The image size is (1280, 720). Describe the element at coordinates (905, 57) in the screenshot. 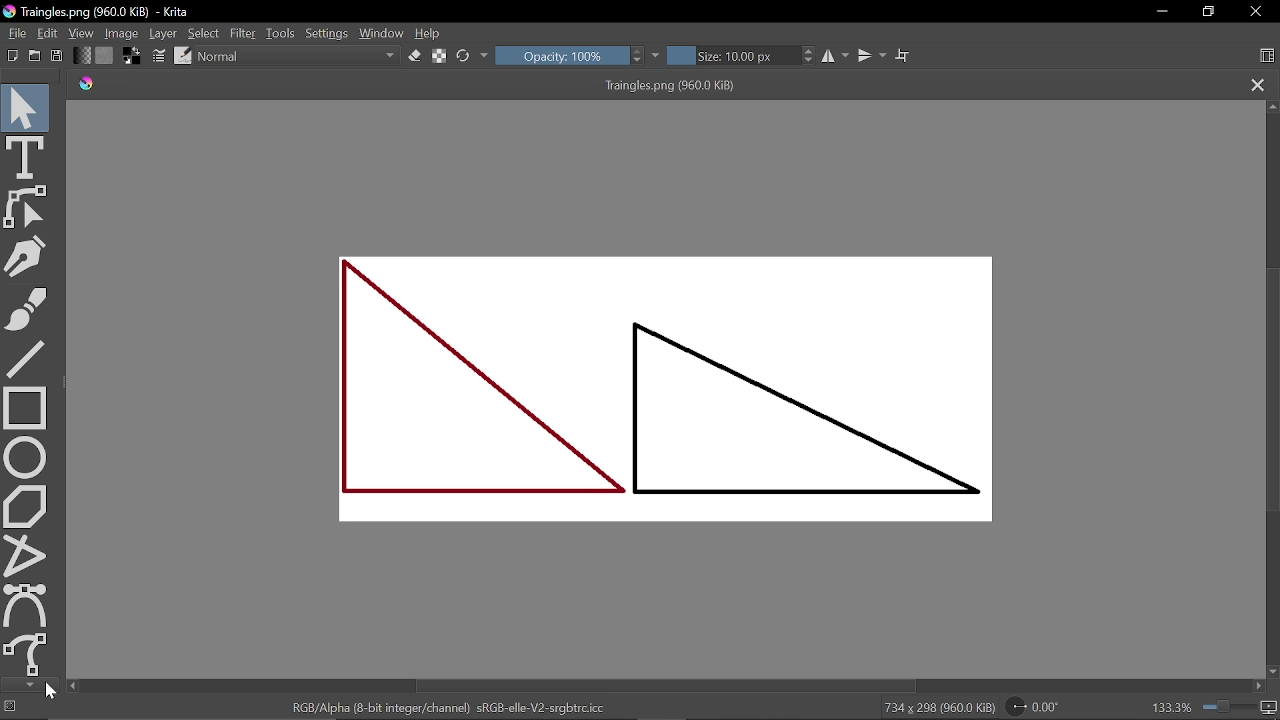

I see `Wrap around text mode` at that location.